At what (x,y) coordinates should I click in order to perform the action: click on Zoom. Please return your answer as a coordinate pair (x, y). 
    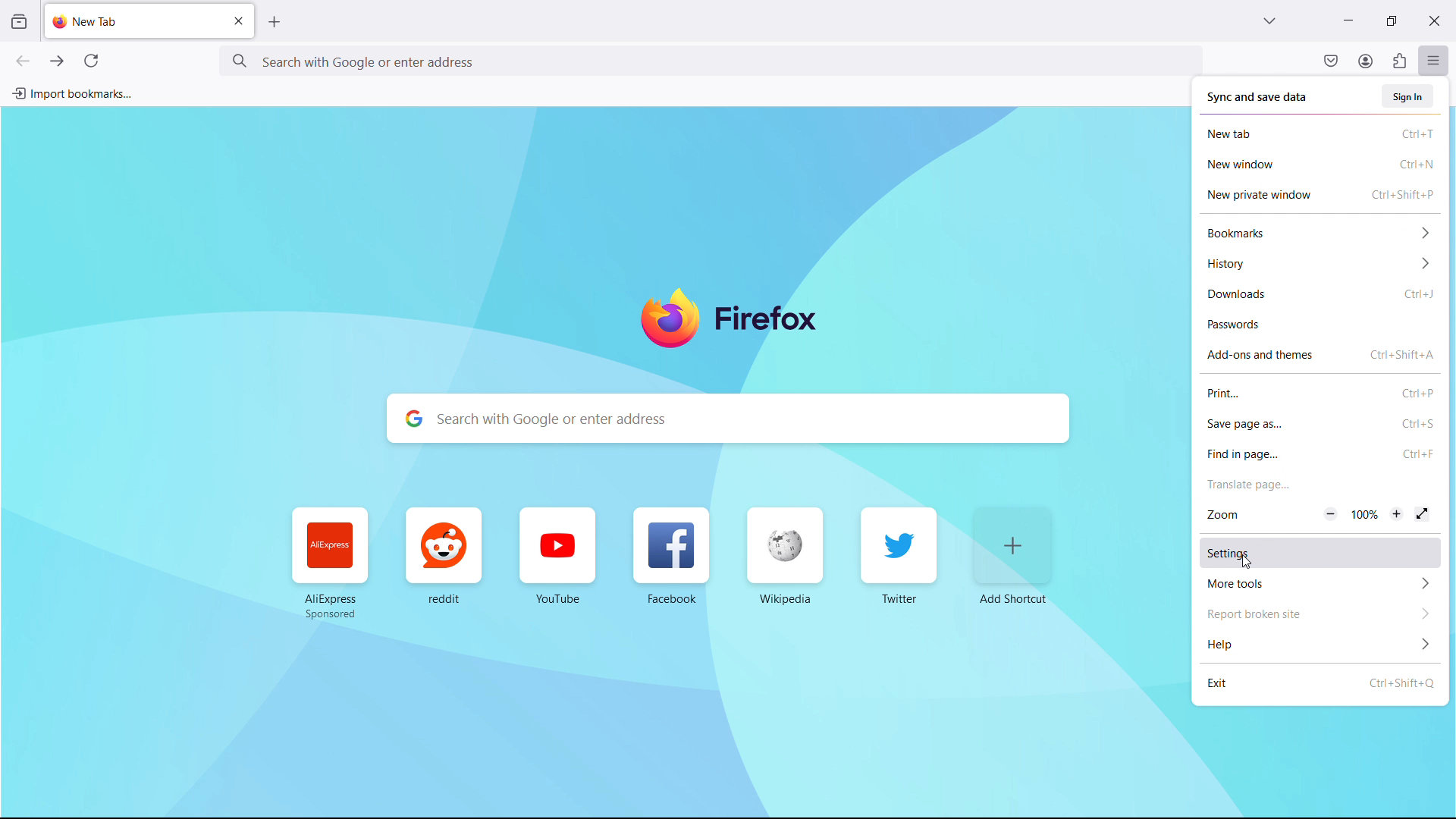
    Looking at the image, I should click on (1228, 516).